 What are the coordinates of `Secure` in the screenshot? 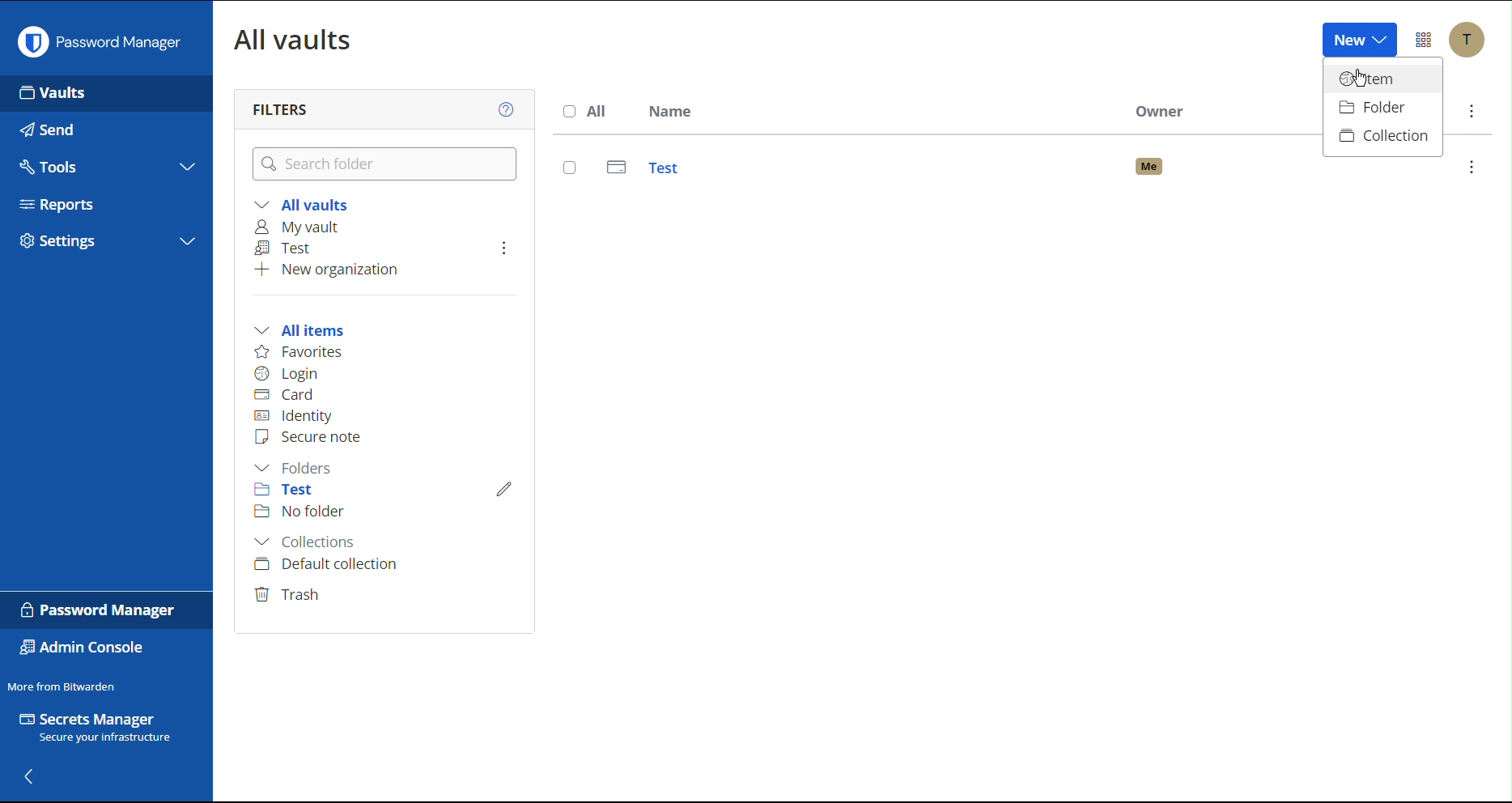 It's located at (312, 437).